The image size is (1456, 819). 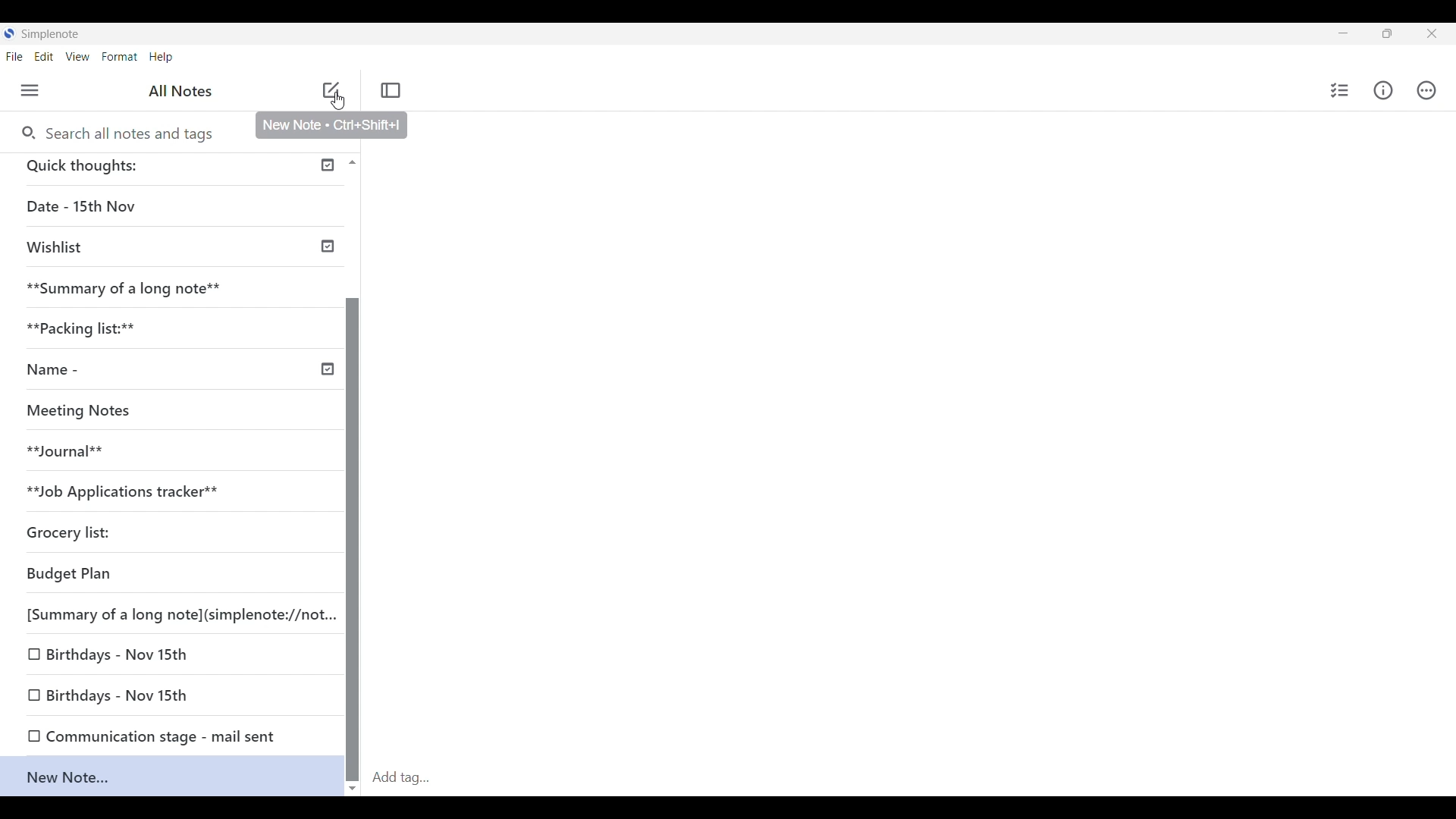 I want to click on Simplenote, so click(x=49, y=34).